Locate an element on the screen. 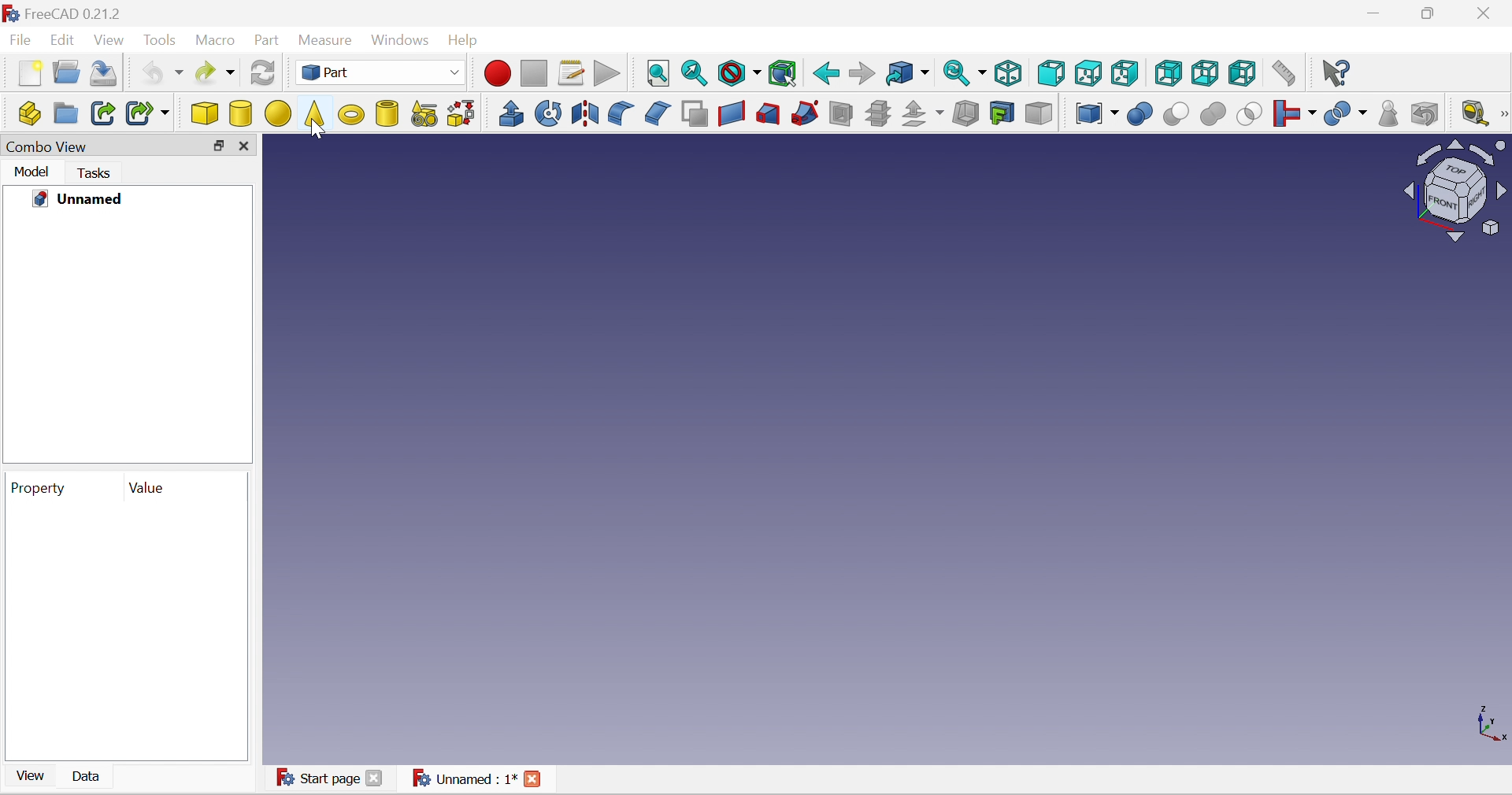 This screenshot has height=795, width=1512. Intersection is located at coordinates (1250, 113).